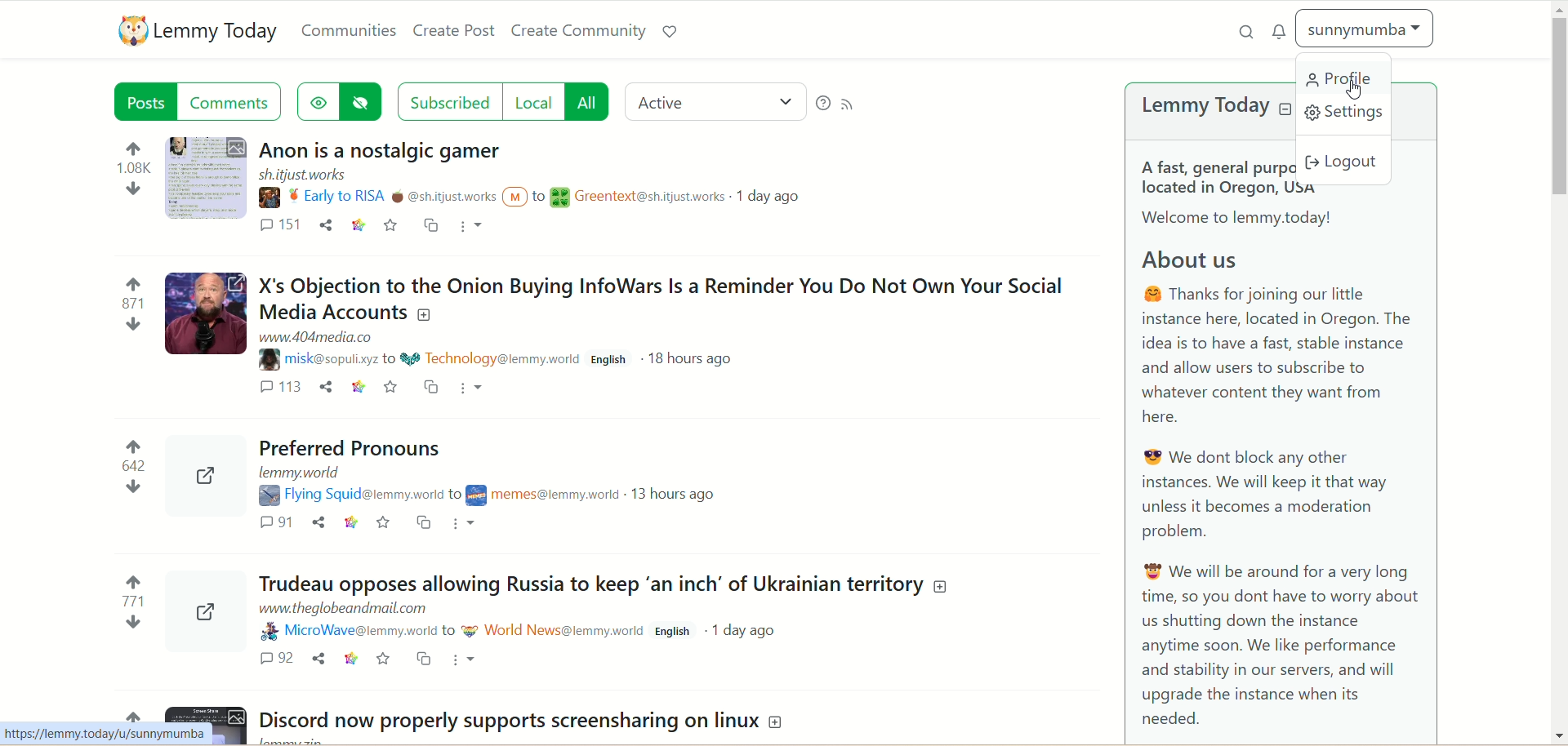 The height and width of the screenshot is (746, 1568). Describe the element at coordinates (351, 658) in the screenshot. I see `Link` at that location.